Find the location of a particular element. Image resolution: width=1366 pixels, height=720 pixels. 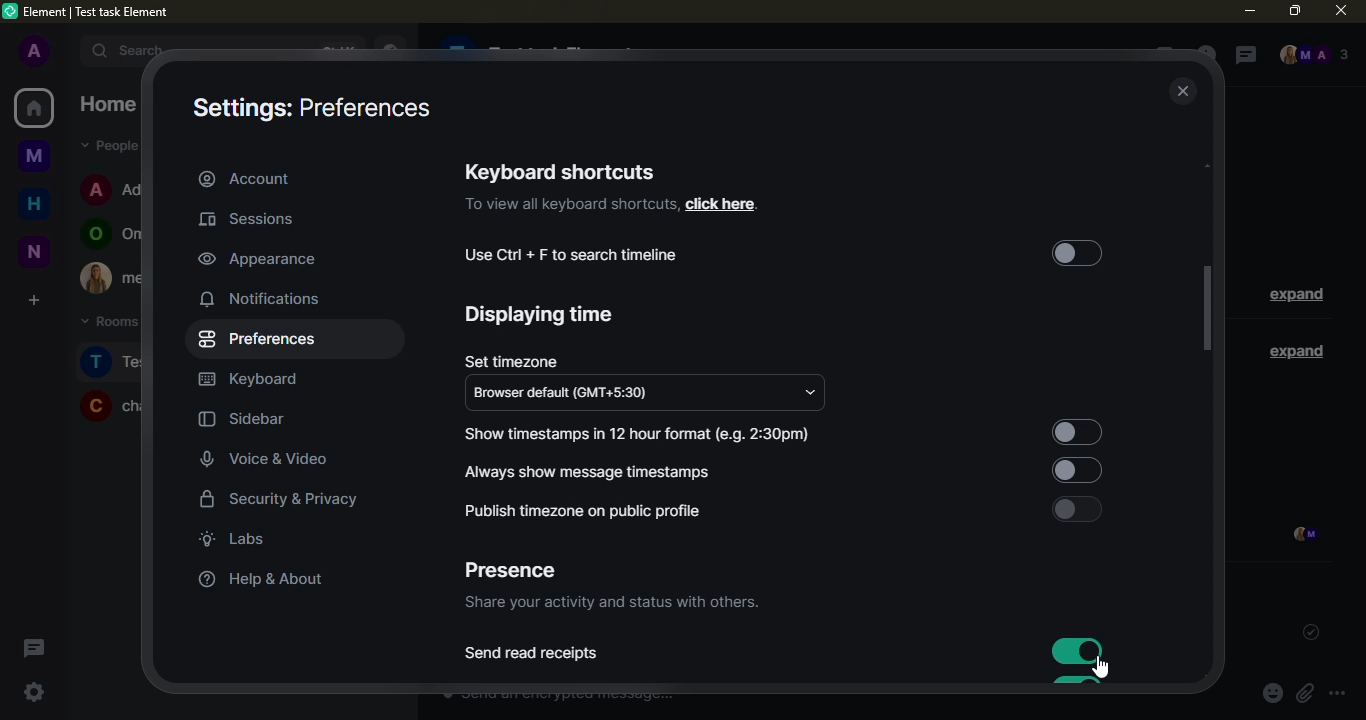

labs is located at coordinates (232, 538).